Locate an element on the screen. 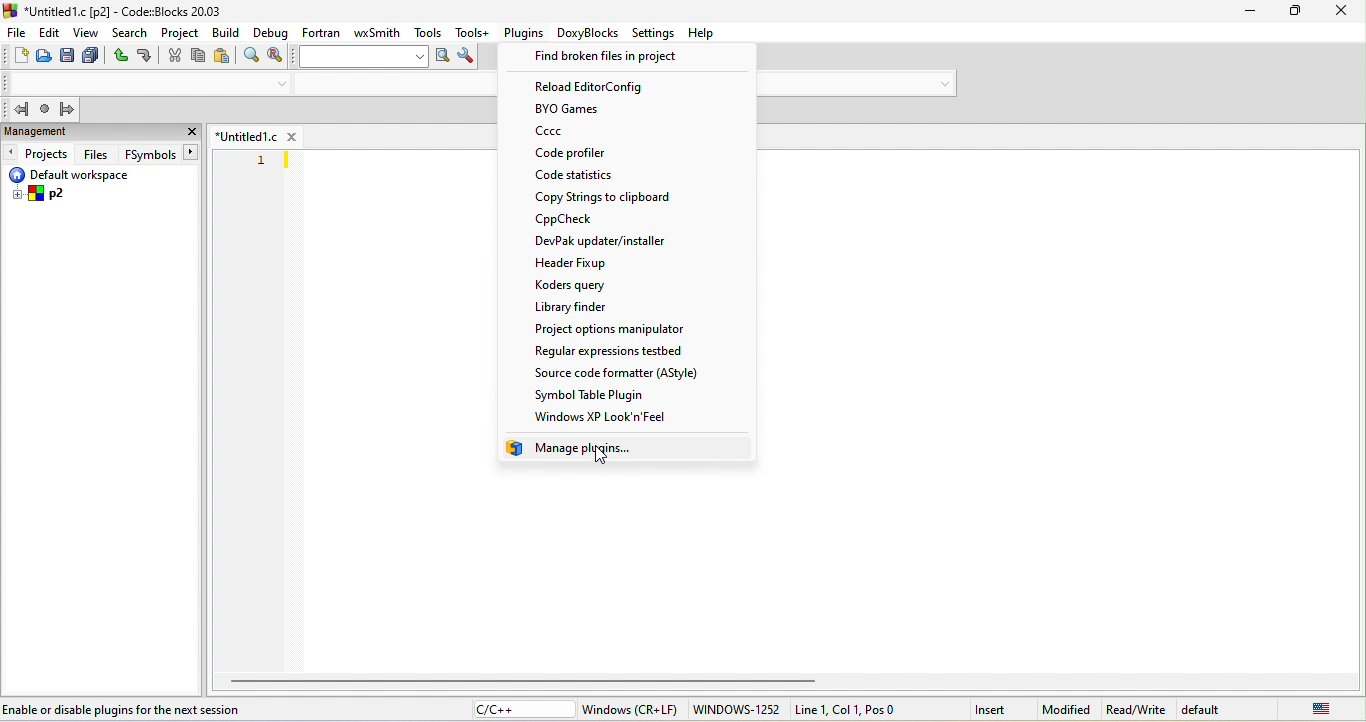 The width and height of the screenshot is (1366, 722). byo games is located at coordinates (575, 110).